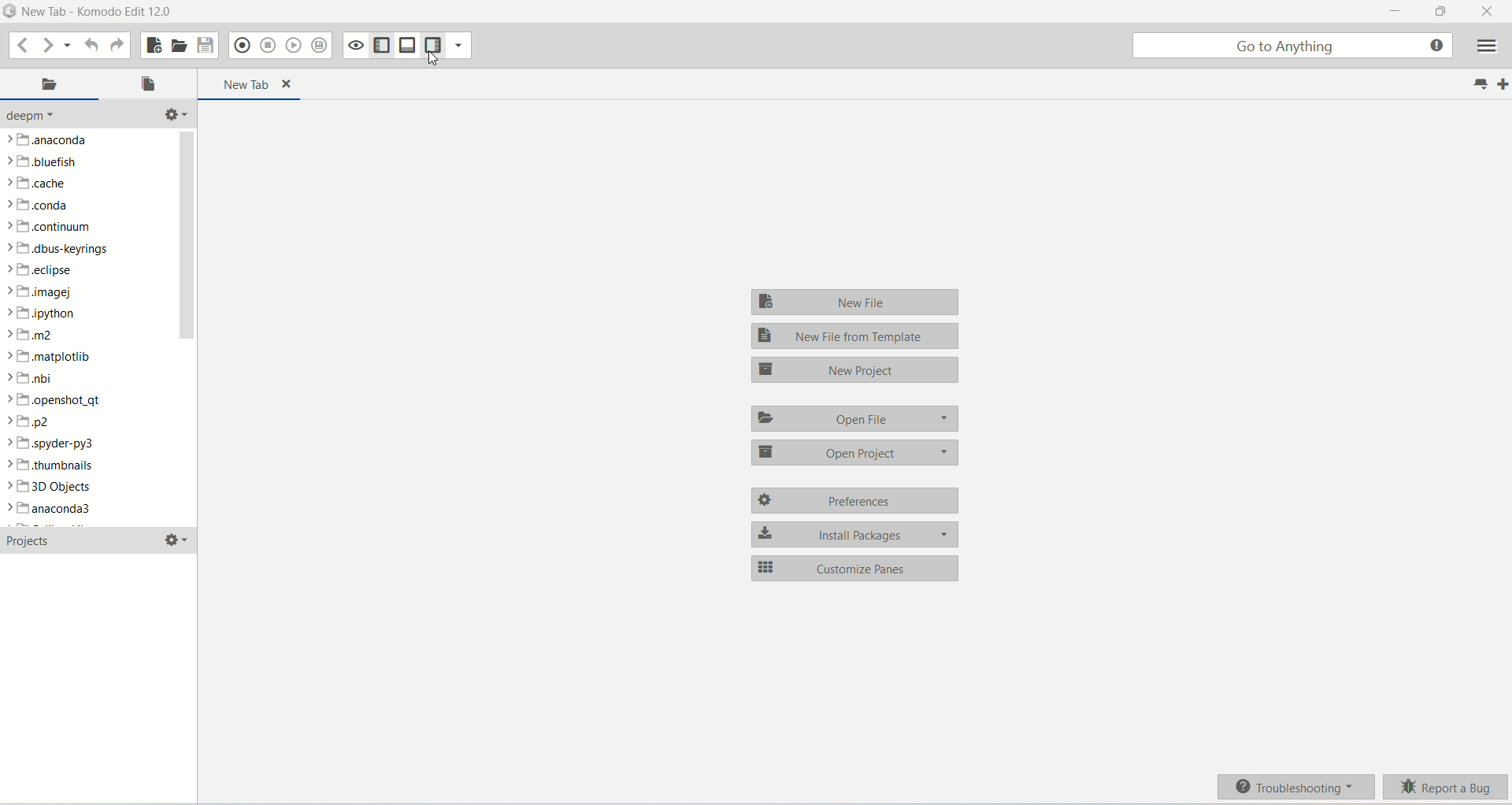 Image resolution: width=1512 pixels, height=805 pixels. What do you see at coordinates (51, 356) in the screenshot?
I see `matplotlib` at bounding box center [51, 356].